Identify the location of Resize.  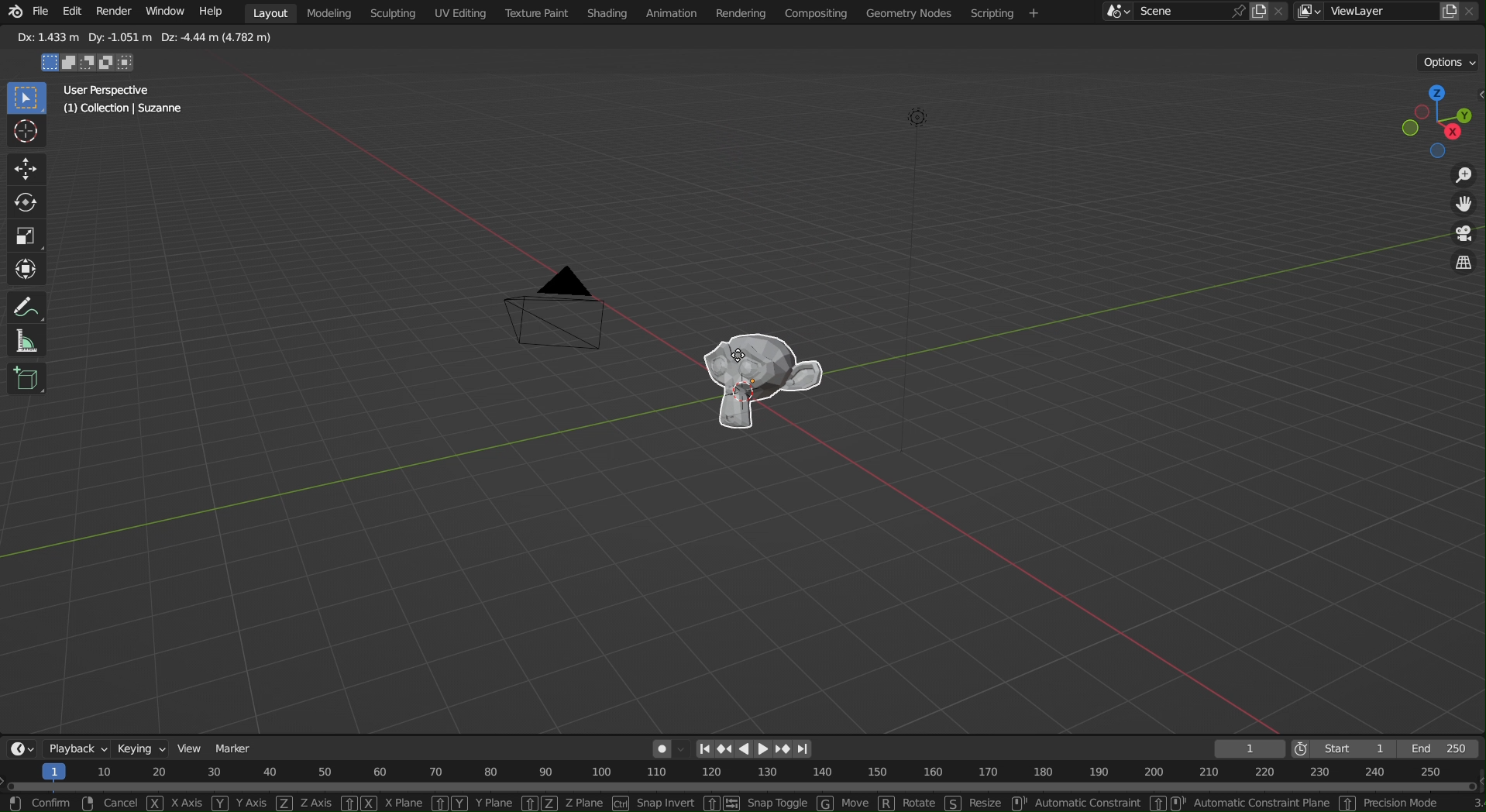
(984, 802).